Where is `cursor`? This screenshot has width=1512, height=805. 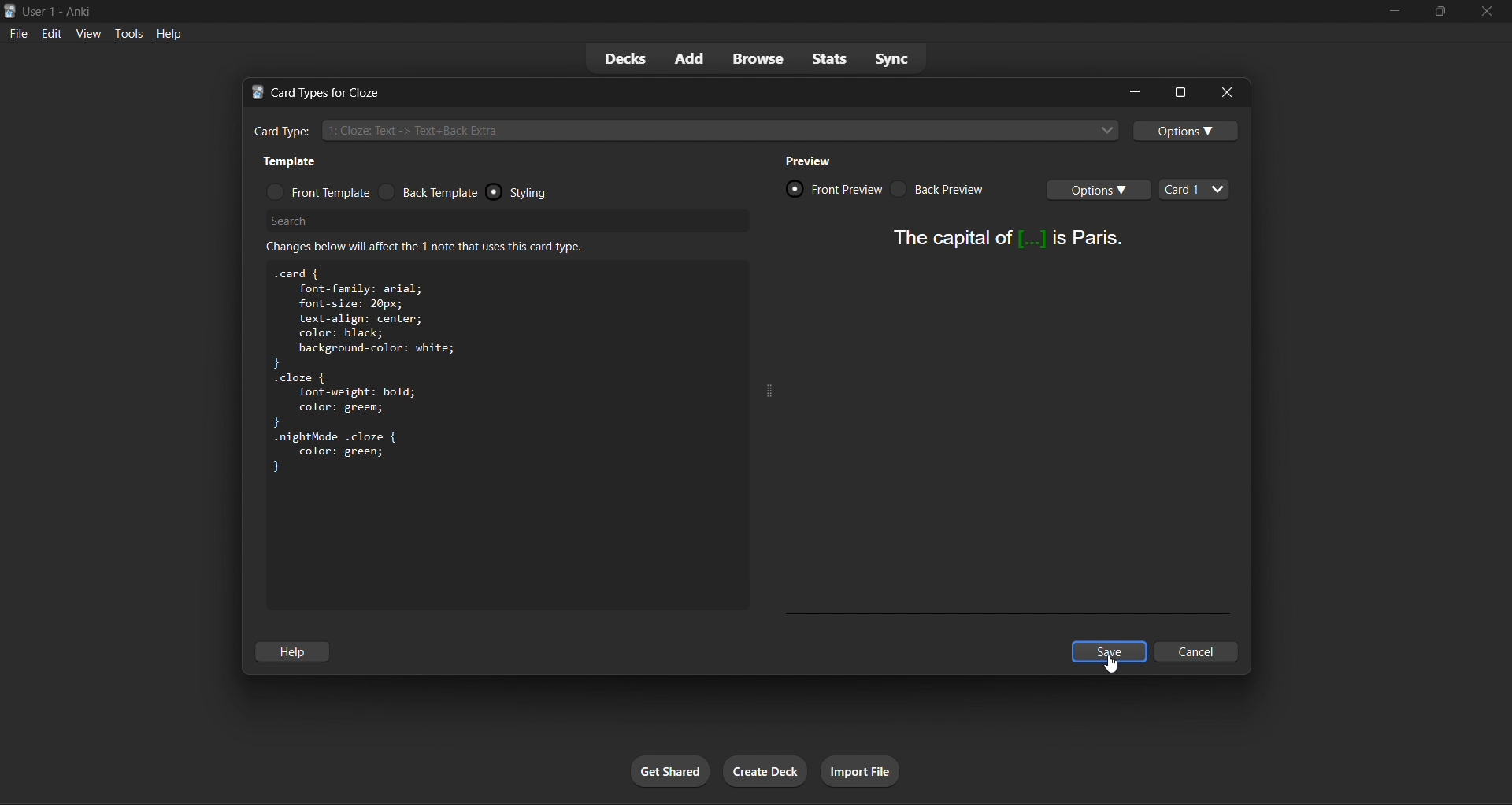
cursor is located at coordinates (1112, 671).